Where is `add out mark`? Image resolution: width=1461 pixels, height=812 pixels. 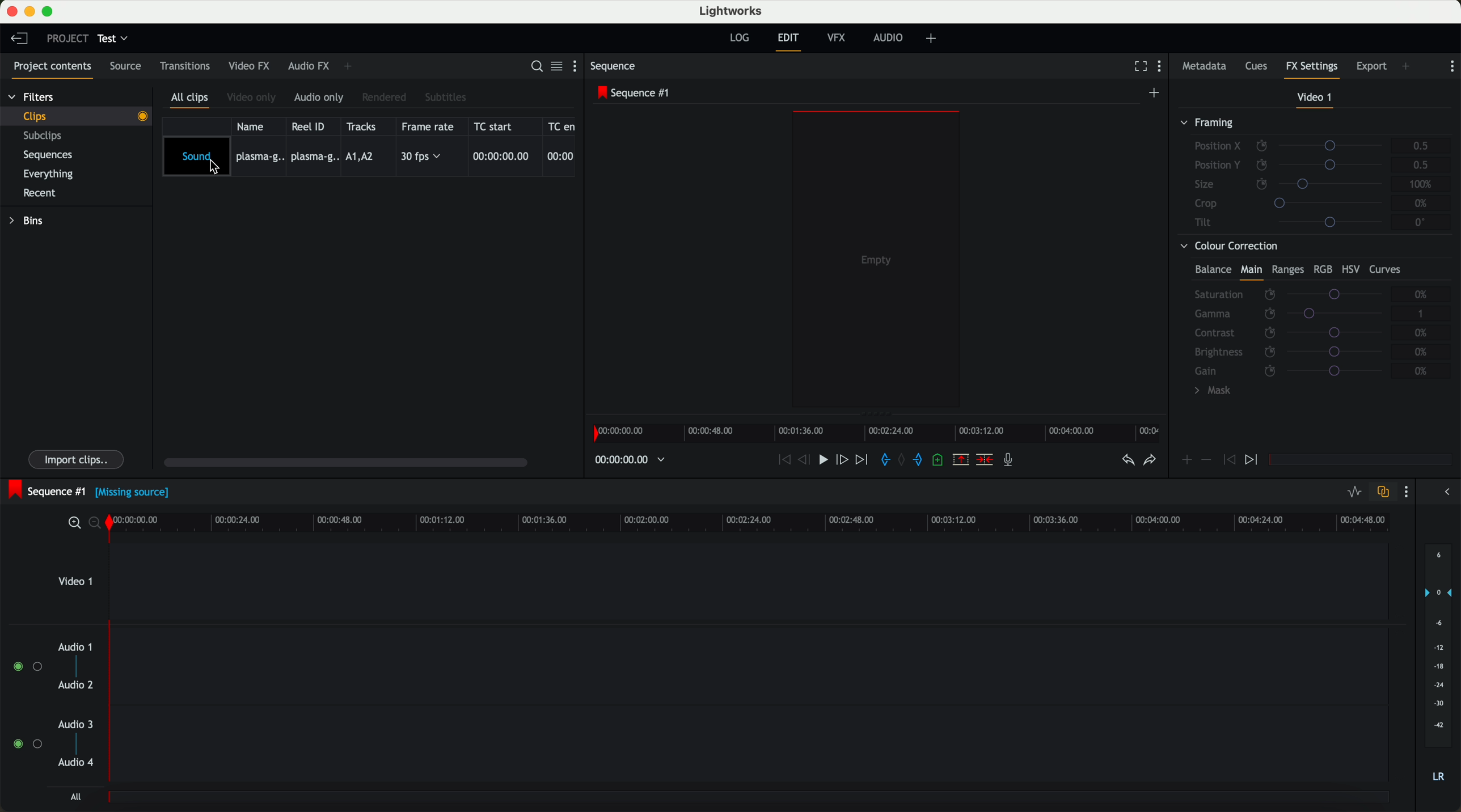 add out mark is located at coordinates (922, 461).